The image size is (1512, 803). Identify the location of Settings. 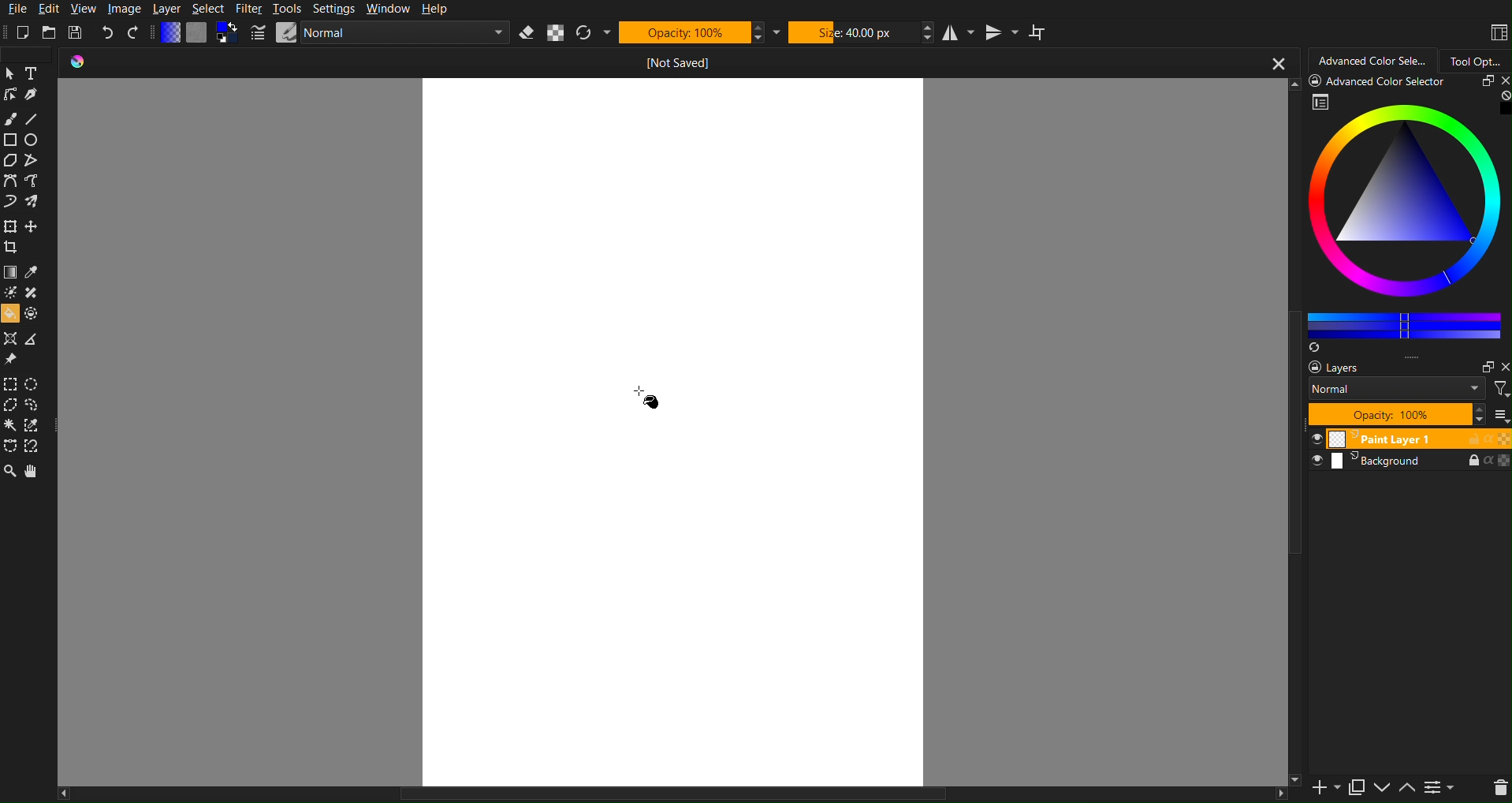
(333, 9).